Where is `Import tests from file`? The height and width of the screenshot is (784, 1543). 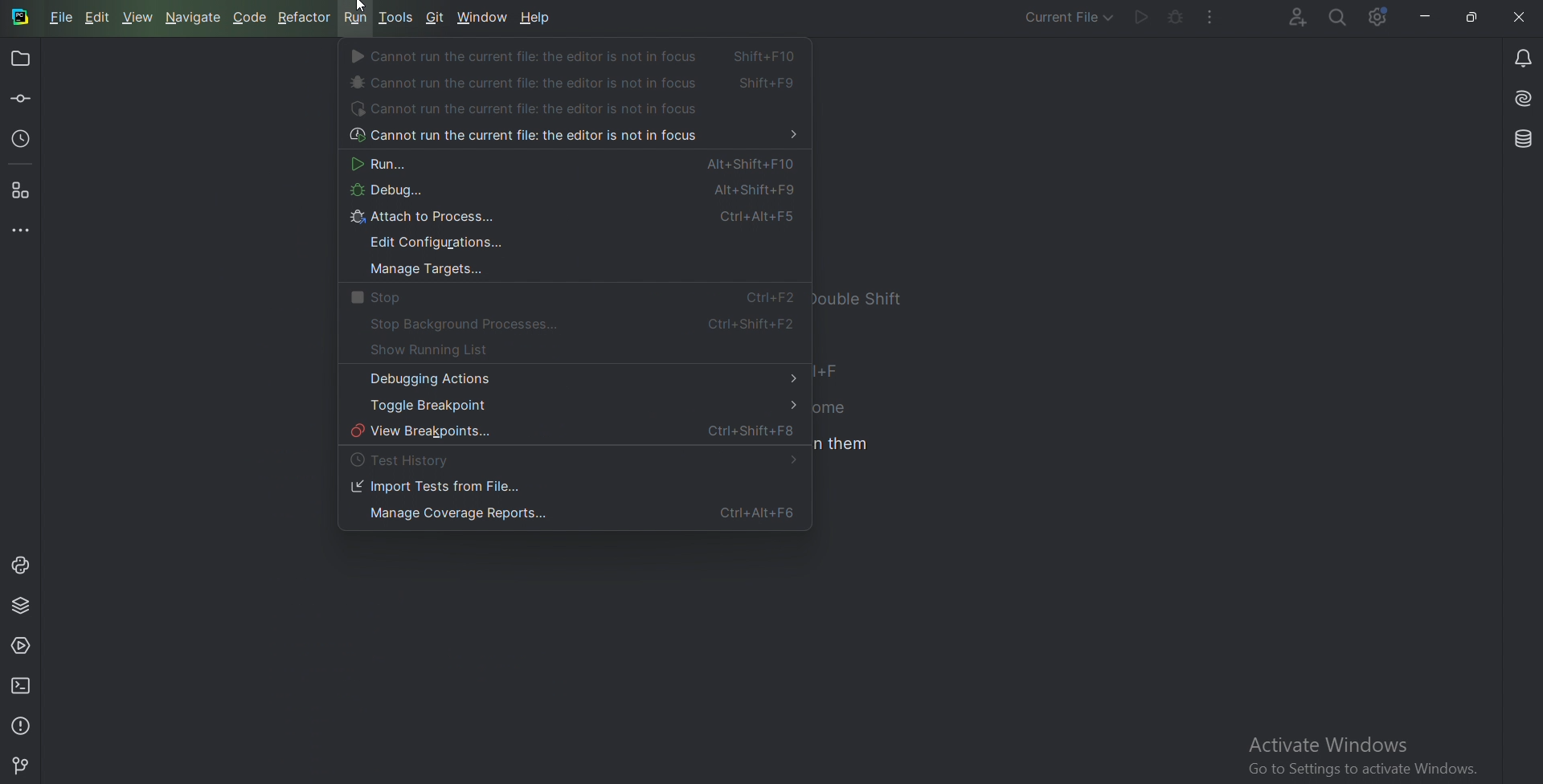 Import tests from file is located at coordinates (437, 488).